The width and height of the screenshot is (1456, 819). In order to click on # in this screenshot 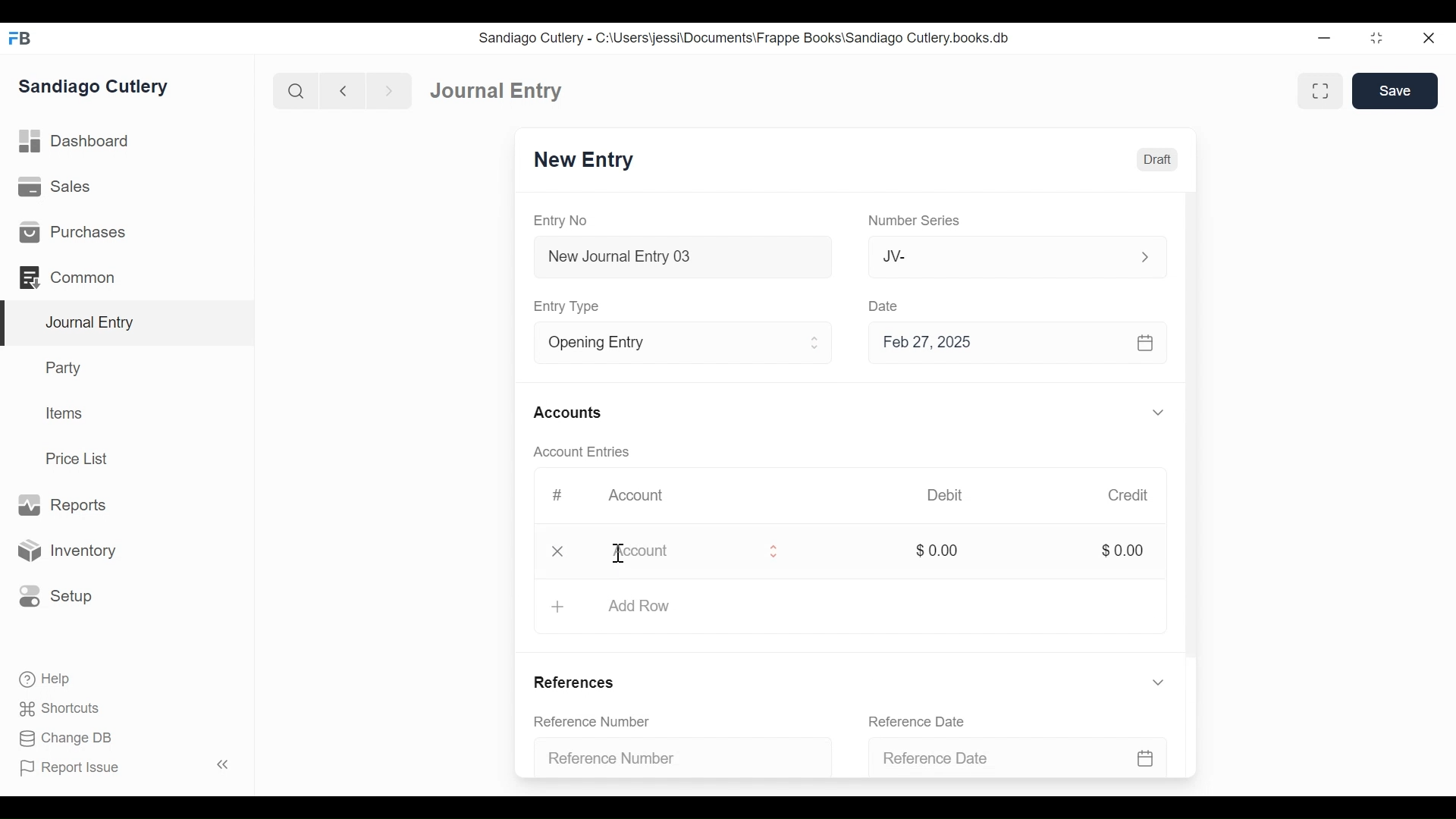, I will do `click(558, 494)`.